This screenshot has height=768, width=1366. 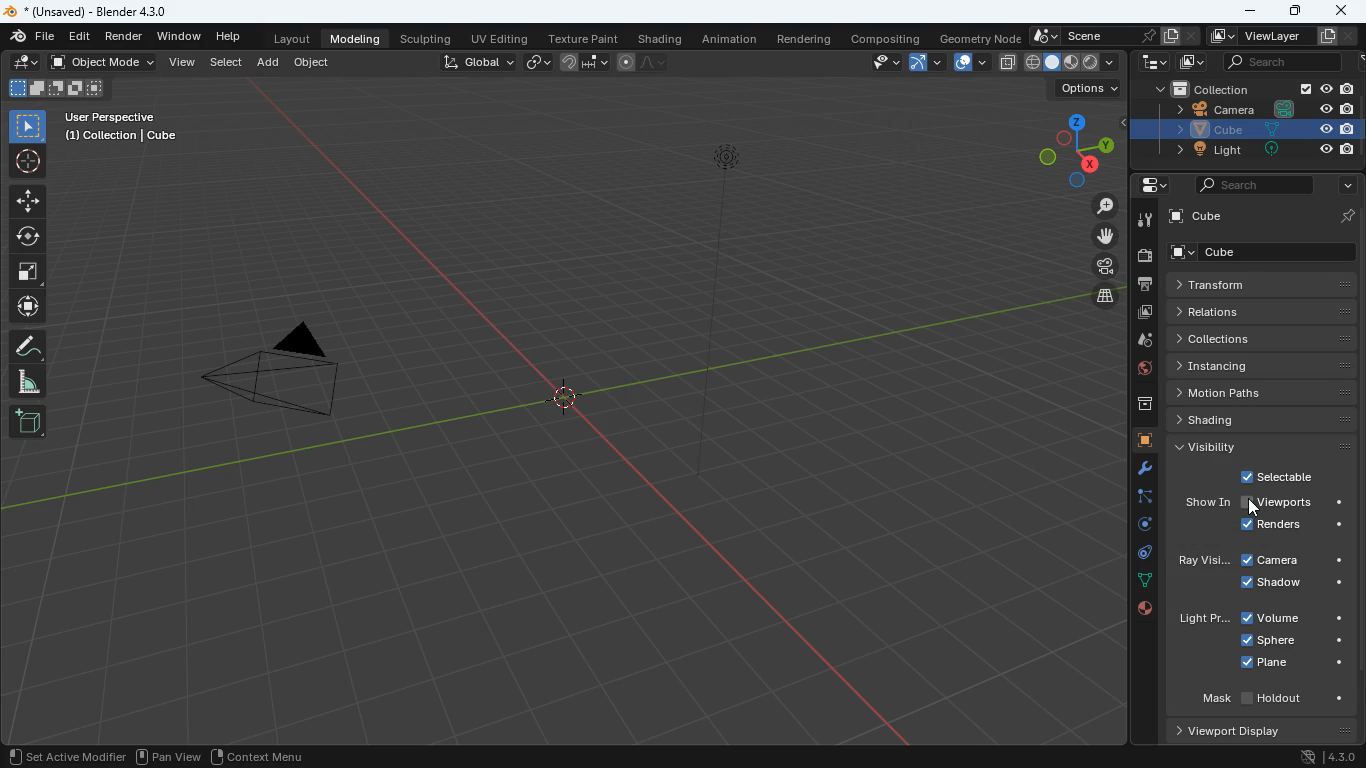 I want to click on viewlayer, so click(x=1280, y=36).